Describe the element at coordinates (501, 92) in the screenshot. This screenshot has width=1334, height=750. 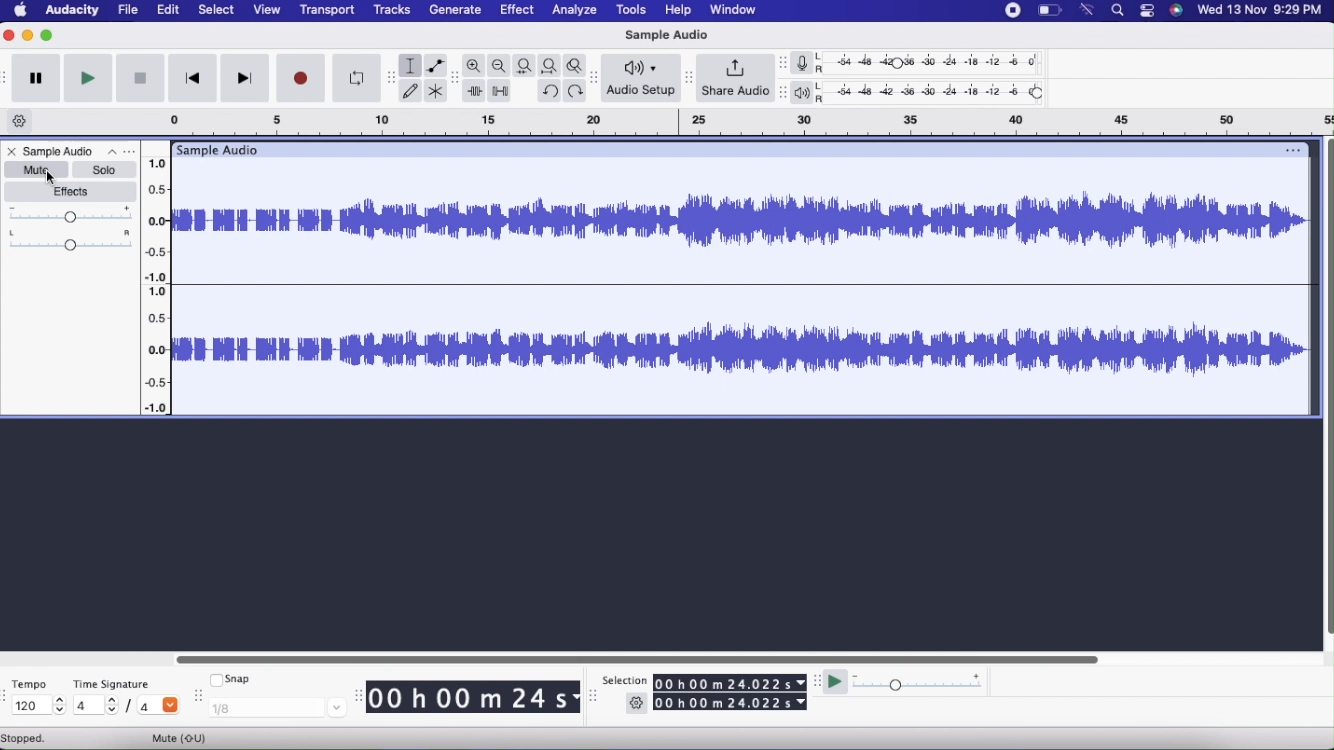
I see `Silence audio selection` at that location.